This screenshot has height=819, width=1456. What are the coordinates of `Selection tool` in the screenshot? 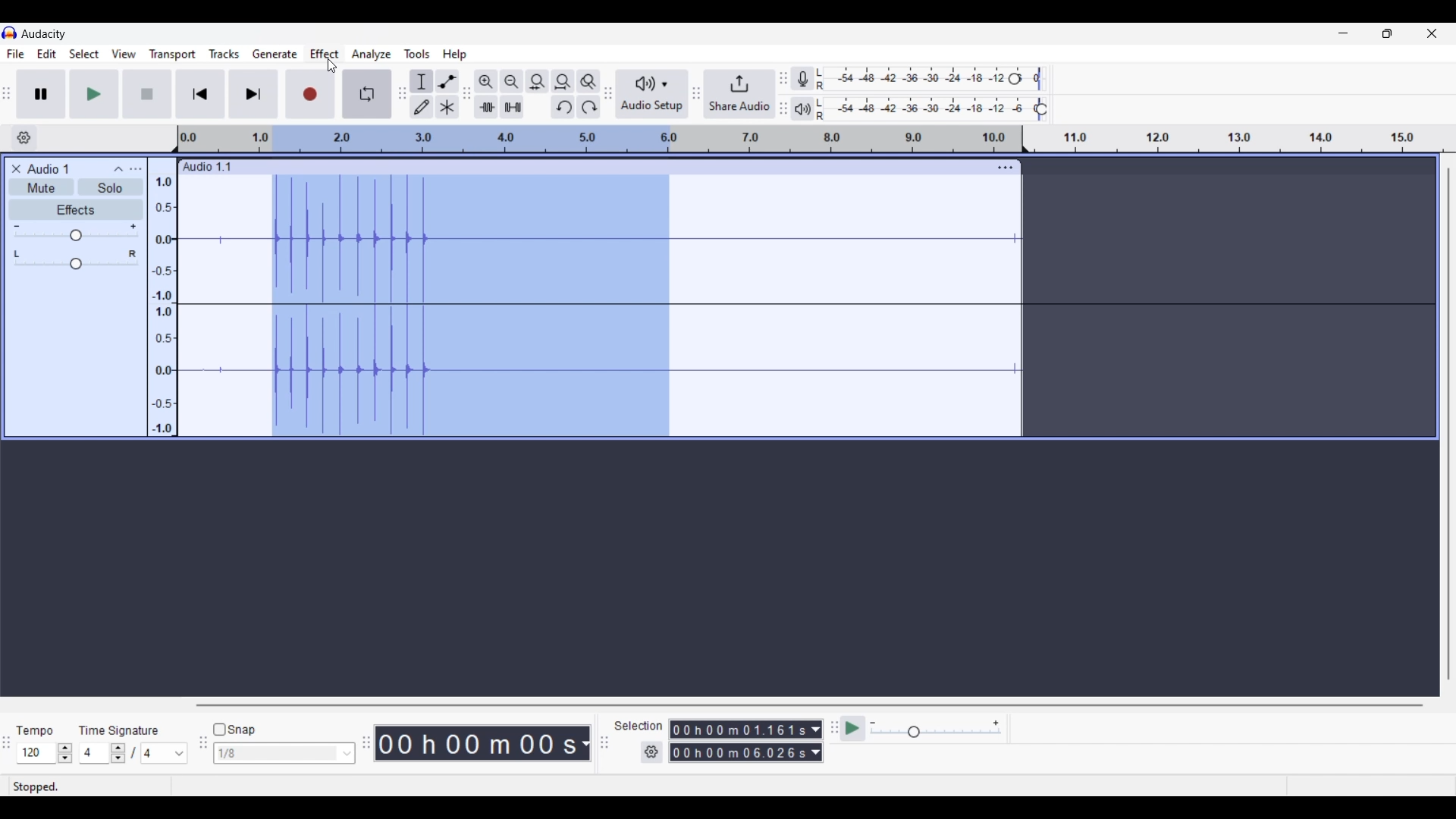 It's located at (421, 80).